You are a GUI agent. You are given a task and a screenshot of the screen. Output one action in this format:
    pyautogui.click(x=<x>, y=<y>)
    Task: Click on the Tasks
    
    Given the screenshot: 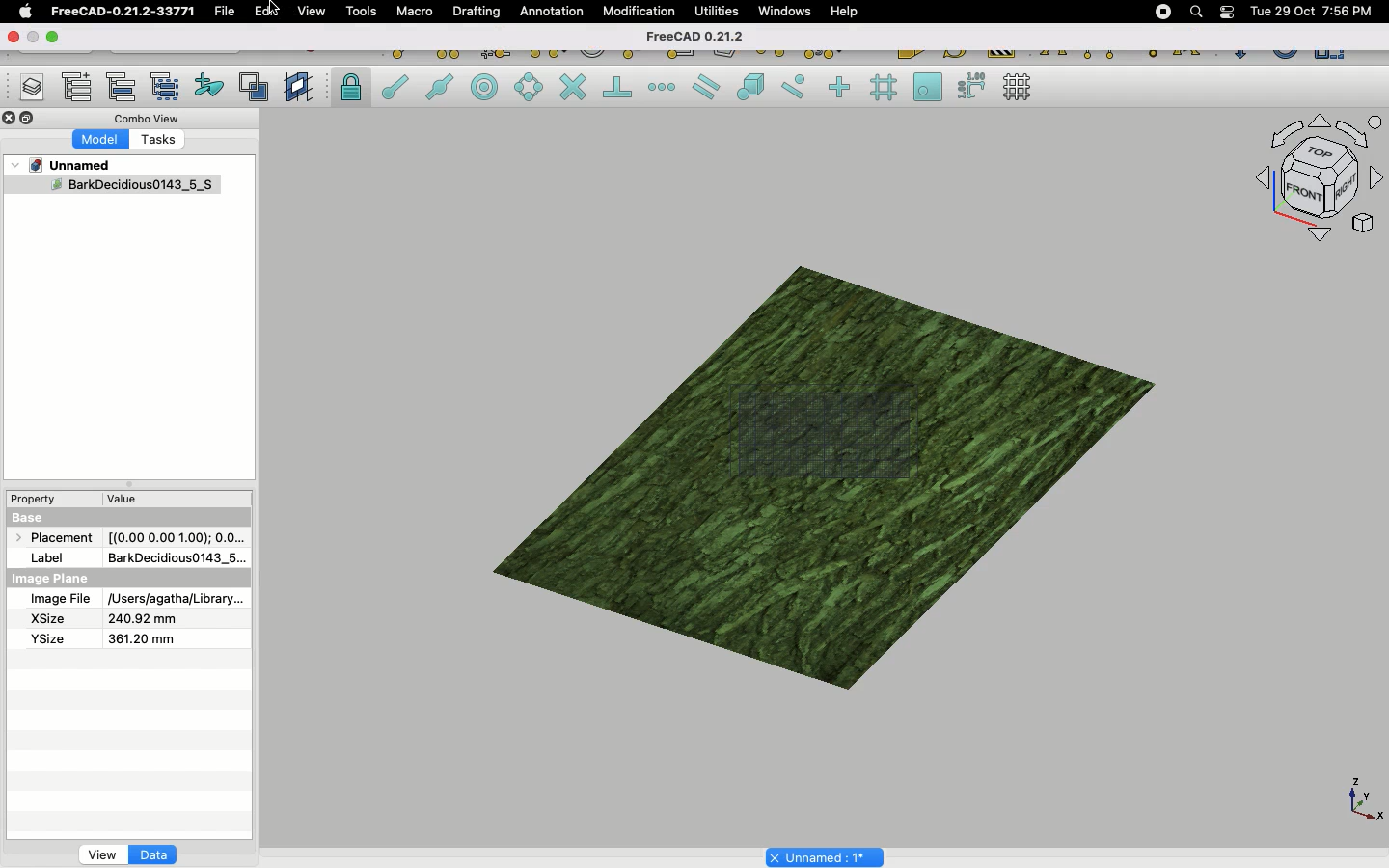 What is the action you would take?
    pyautogui.click(x=162, y=141)
    